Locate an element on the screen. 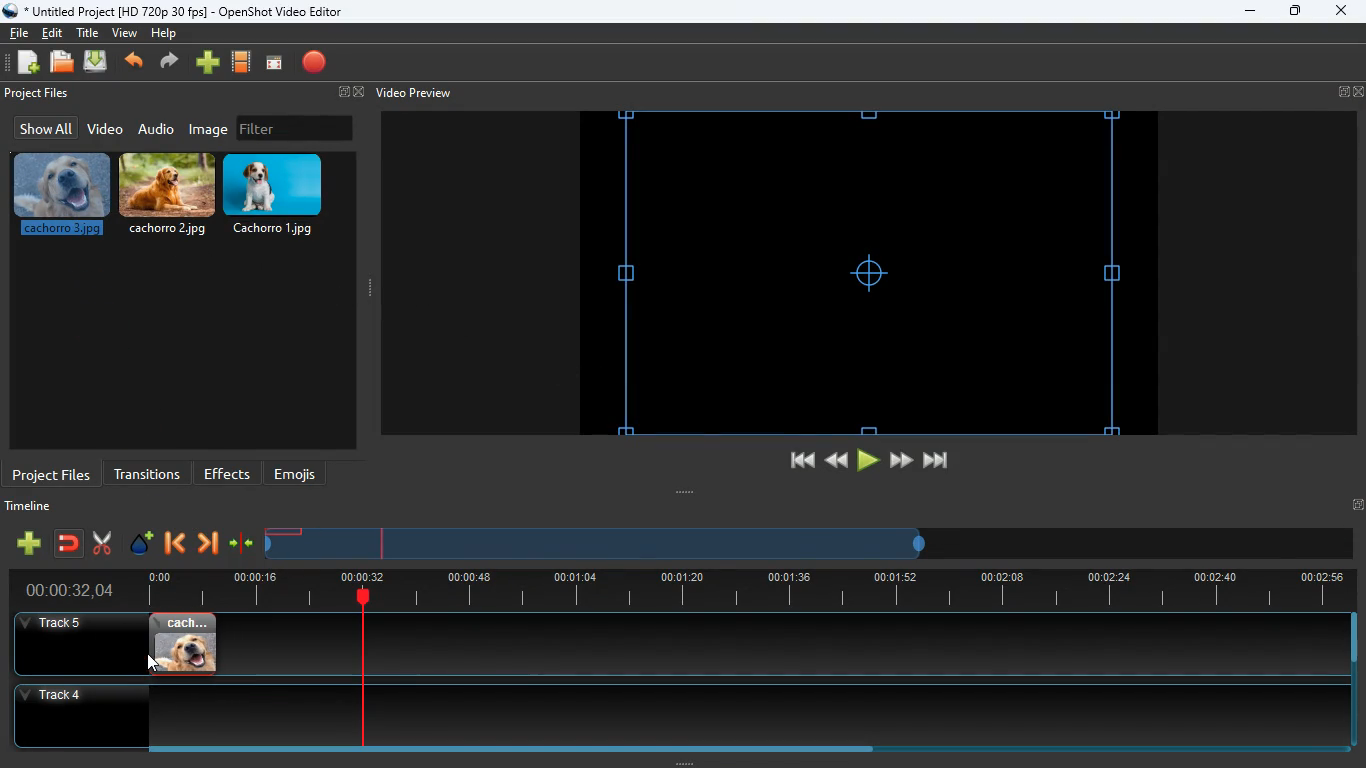 The height and width of the screenshot is (768, 1366). track is located at coordinates (759, 644).